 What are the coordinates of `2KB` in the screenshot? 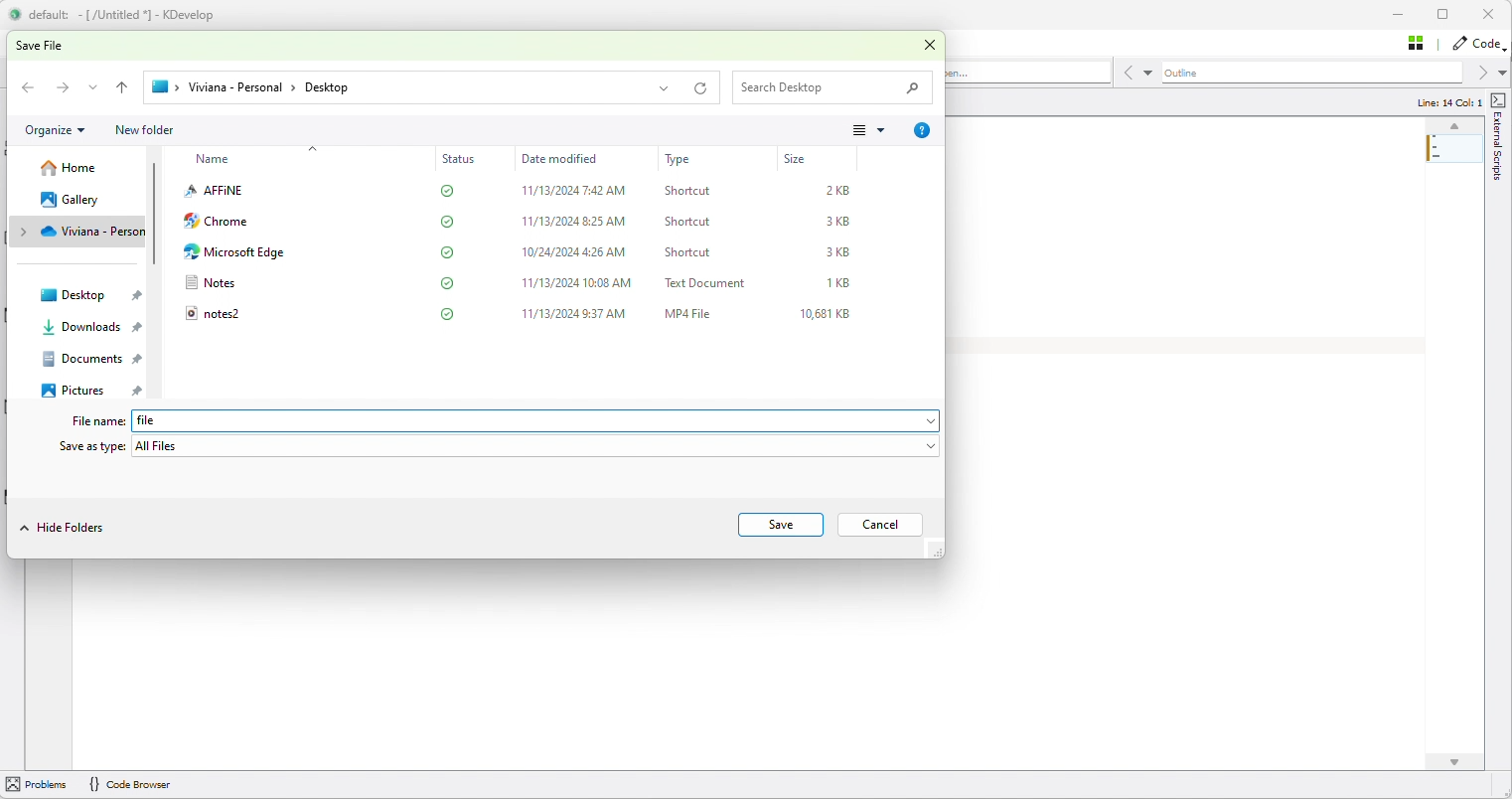 It's located at (843, 190).